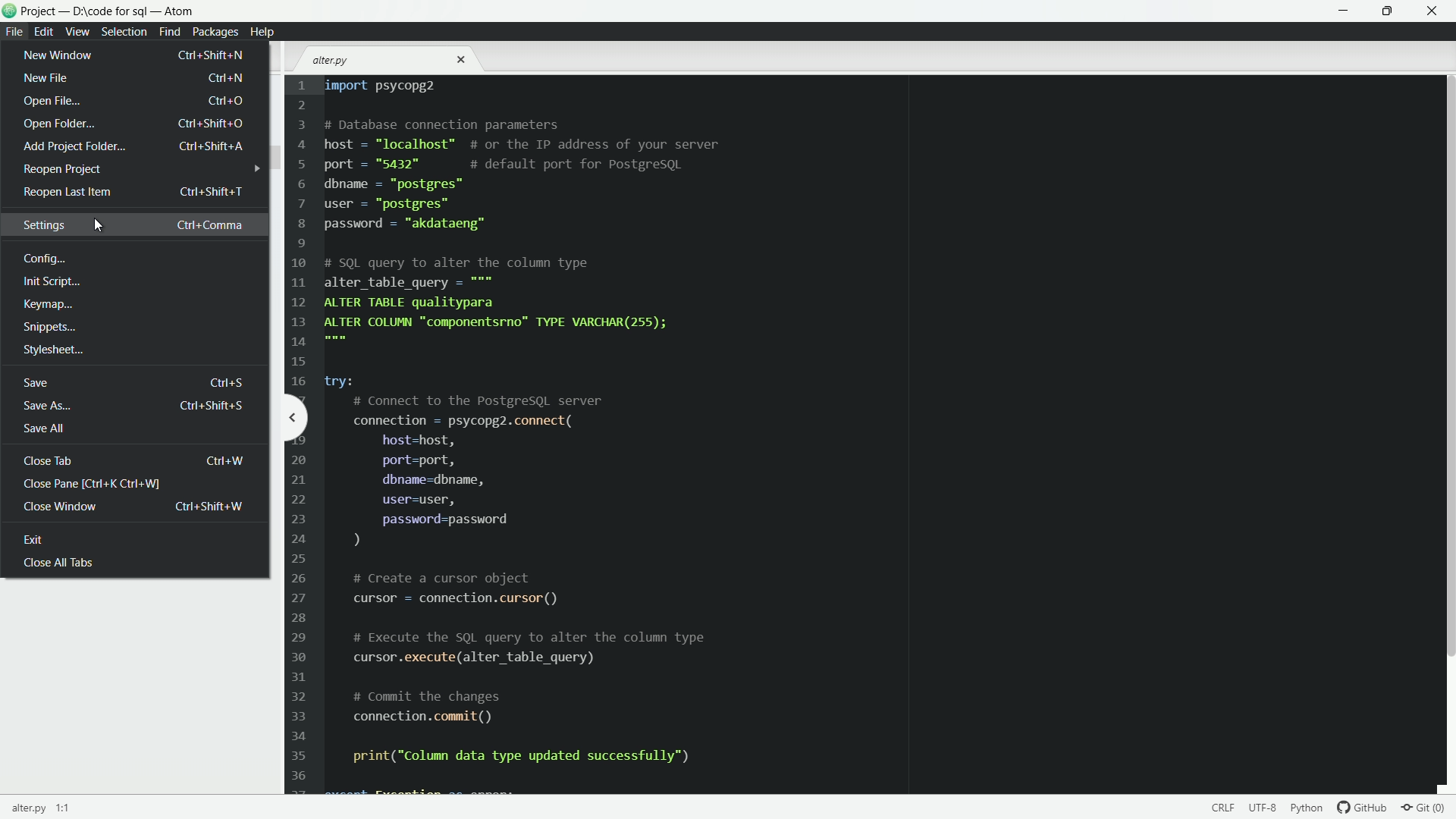 This screenshot has width=1456, height=819. What do you see at coordinates (133, 224) in the screenshot?
I see `settings` at bounding box center [133, 224].